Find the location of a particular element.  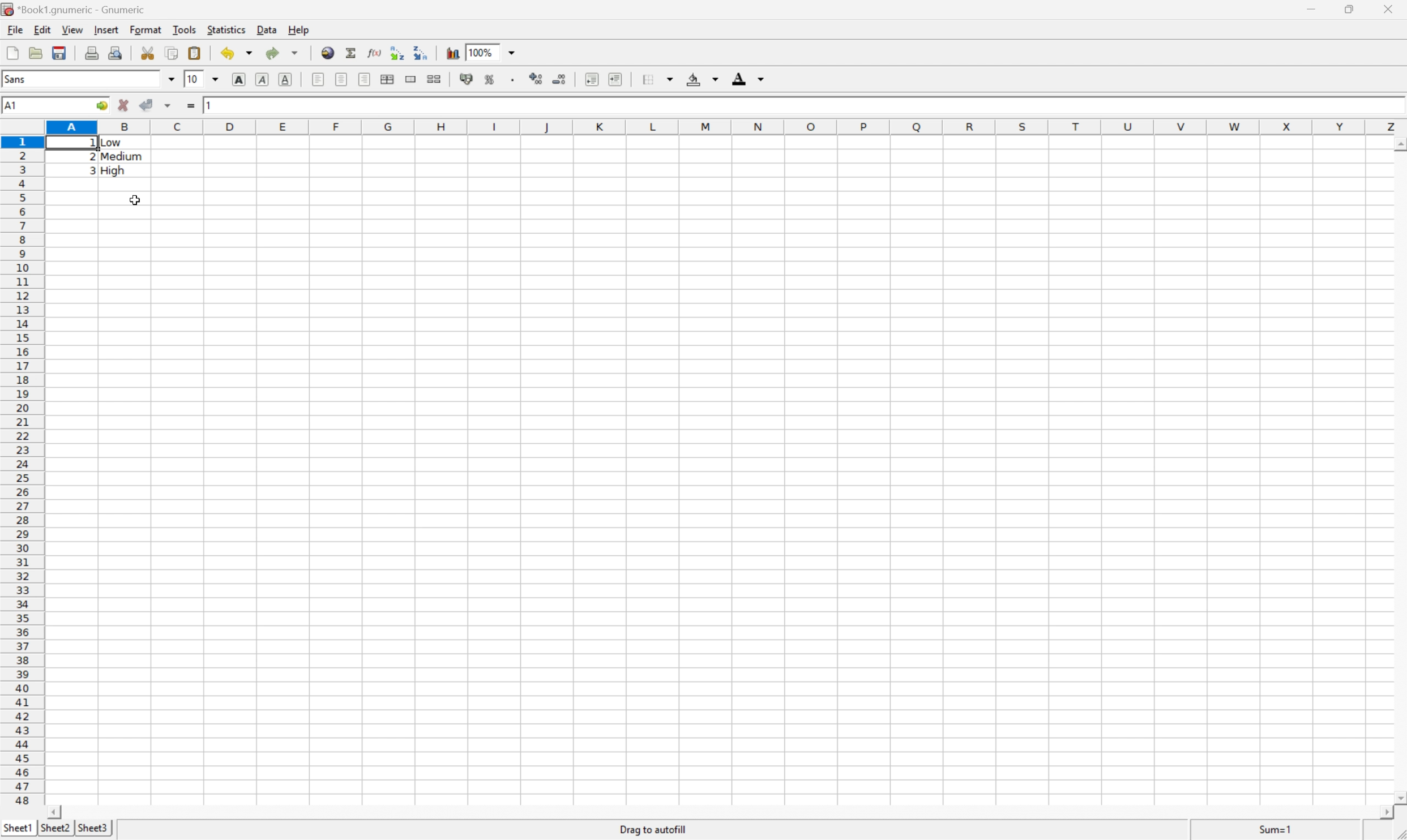

Copy selection is located at coordinates (173, 54).